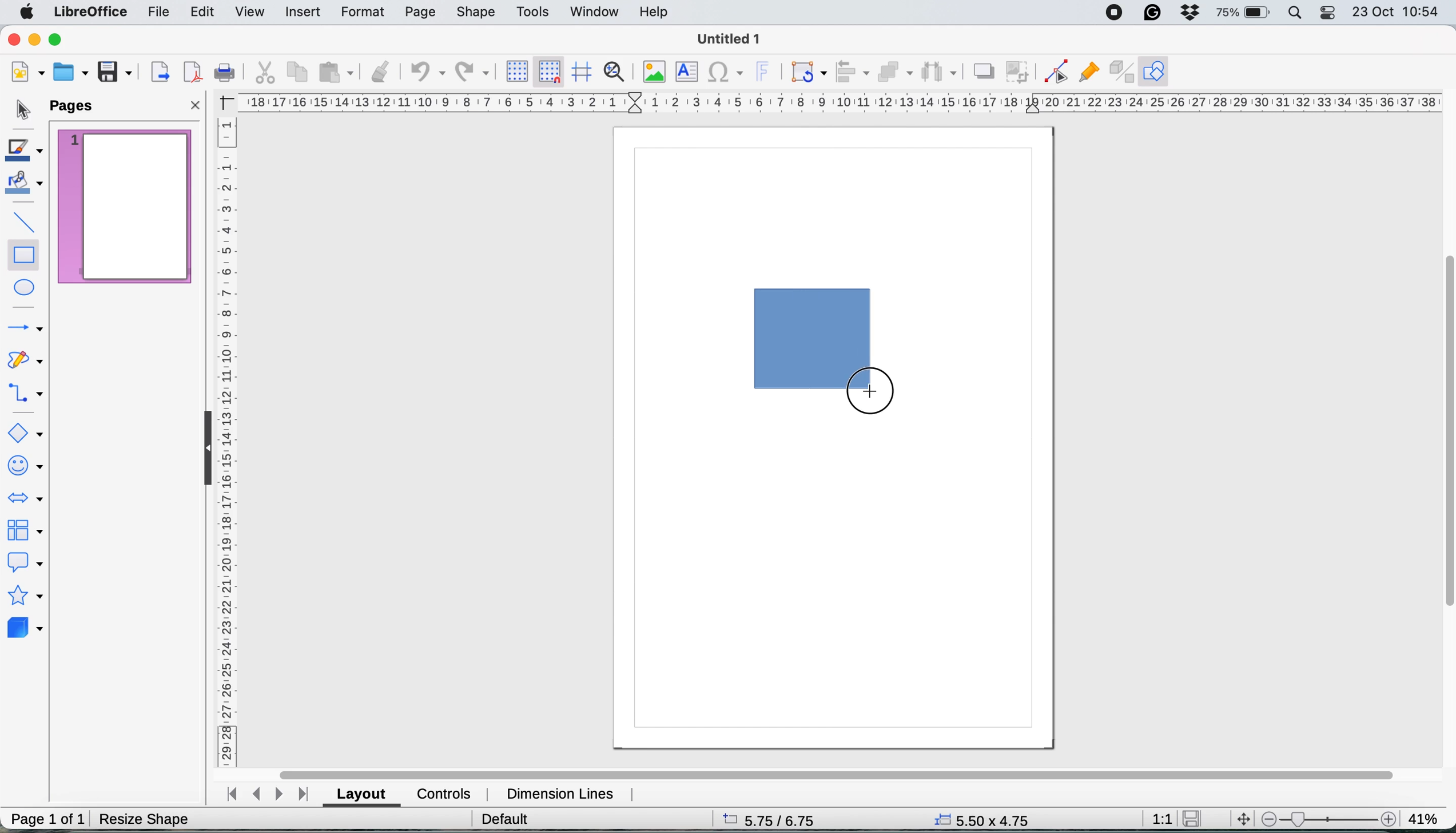 The width and height of the screenshot is (1456, 833). What do you see at coordinates (338, 73) in the screenshot?
I see `paste` at bounding box center [338, 73].